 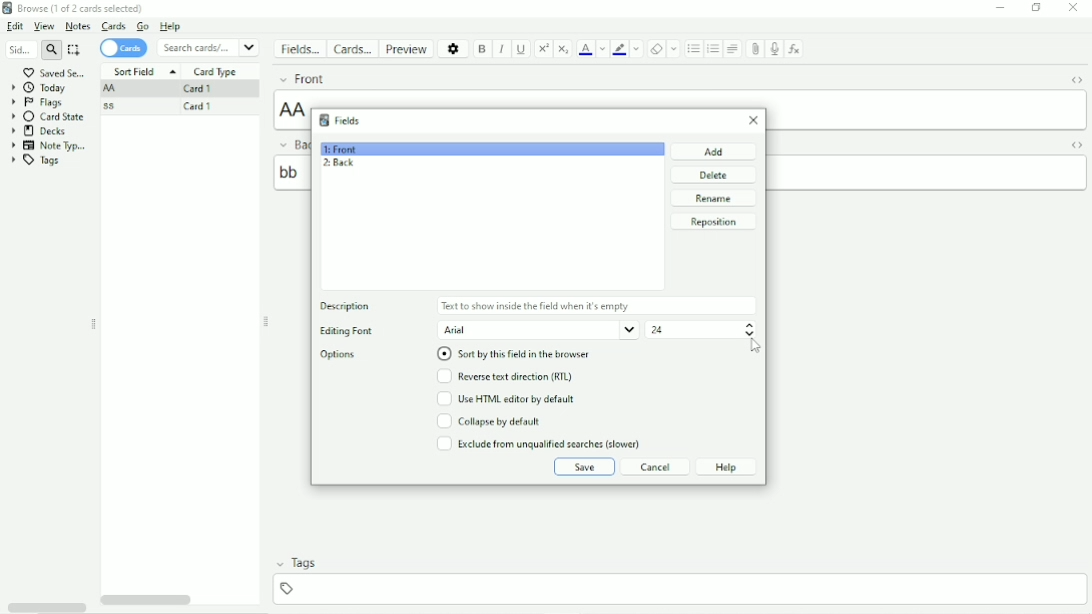 What do you see at coordinates (77, 26) in the screenshot?
I see `Notes` at bounding box center [77, 26].